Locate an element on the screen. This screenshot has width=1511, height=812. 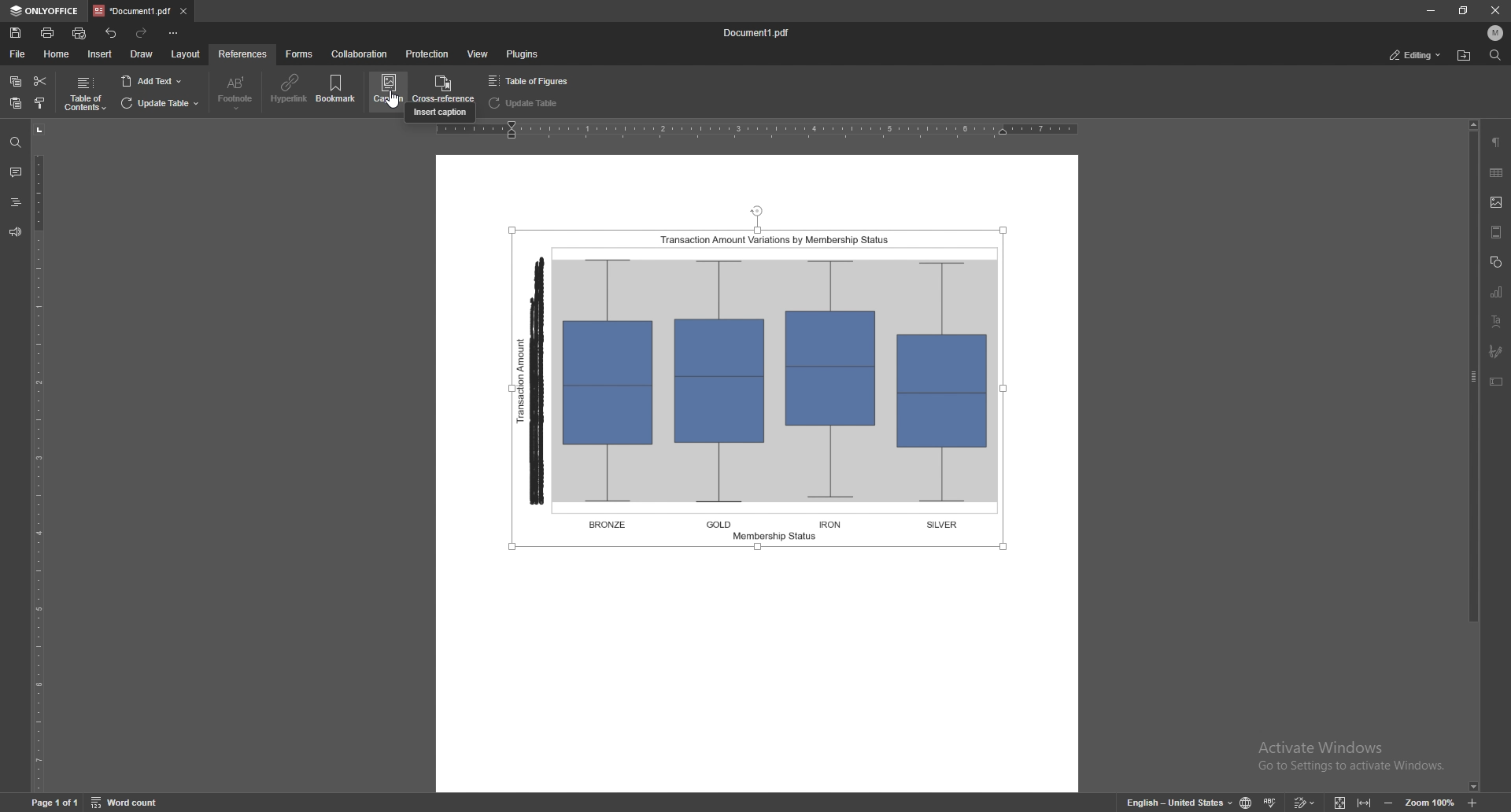
change doc language is located at coordinates (1248, 802).